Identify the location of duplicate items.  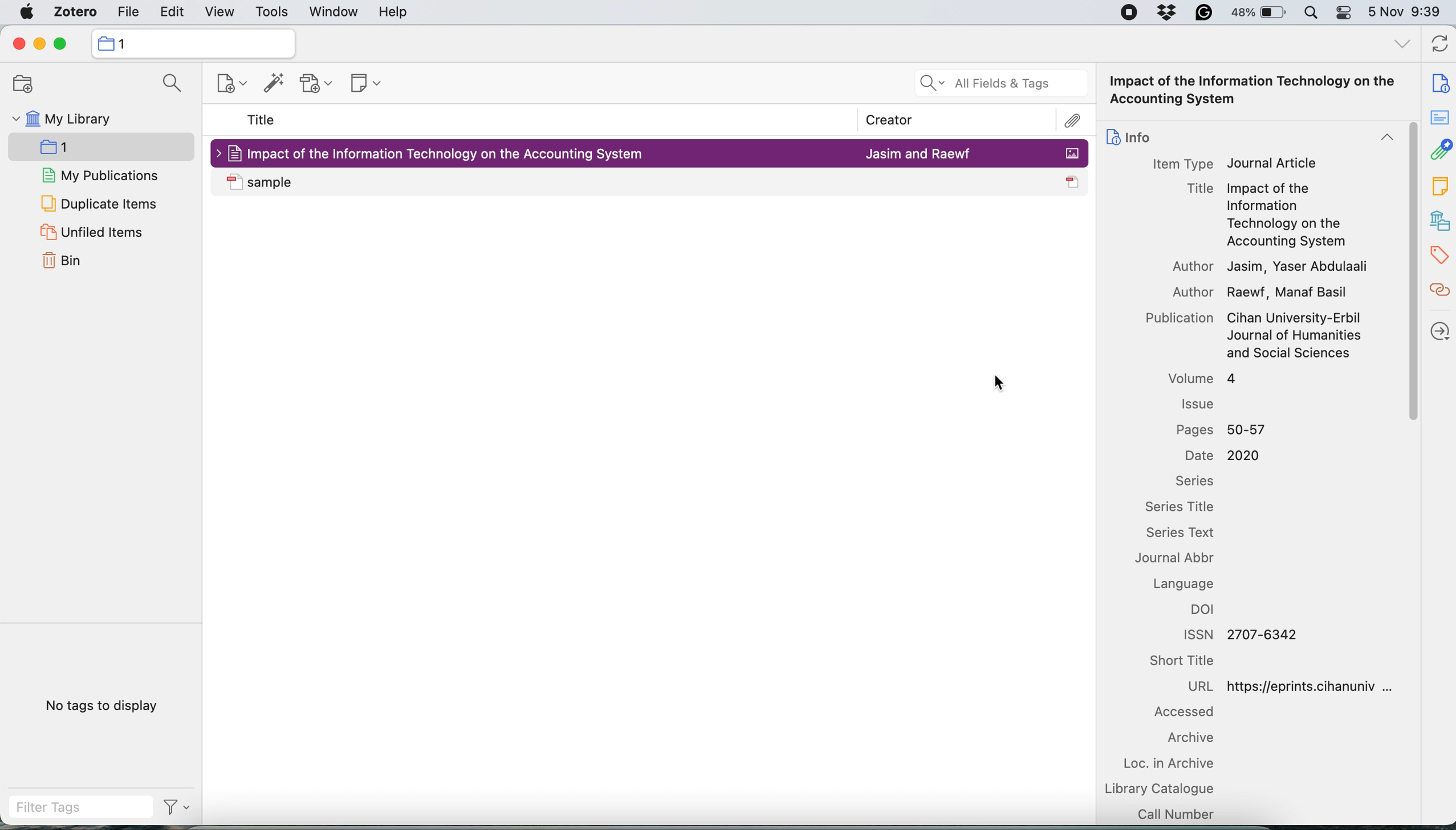
(100, 204).